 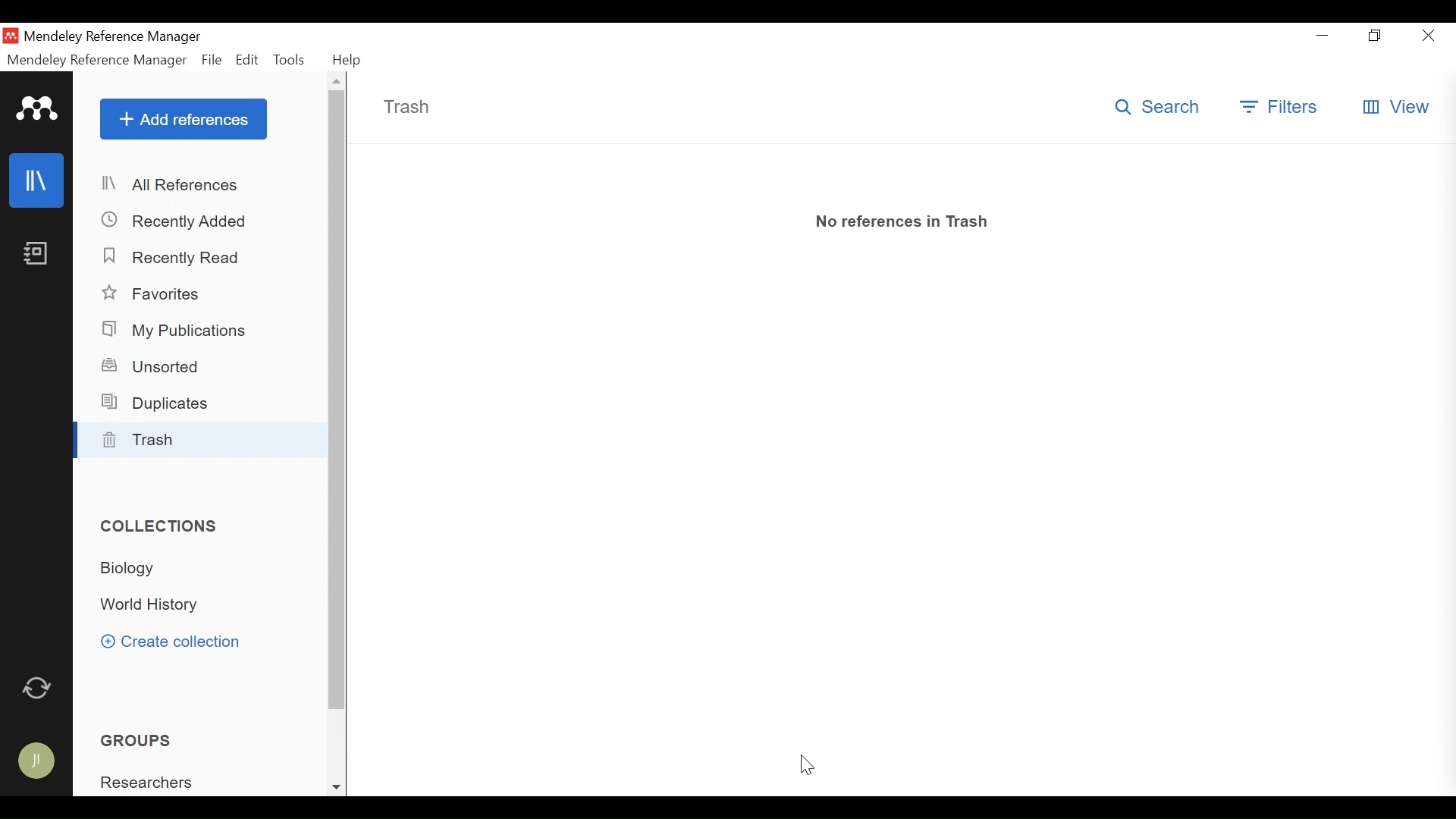 What do you see at coordinates (904, 222) in the screenshot?
I see `No references in Trash` at bounding box center [904, 222].